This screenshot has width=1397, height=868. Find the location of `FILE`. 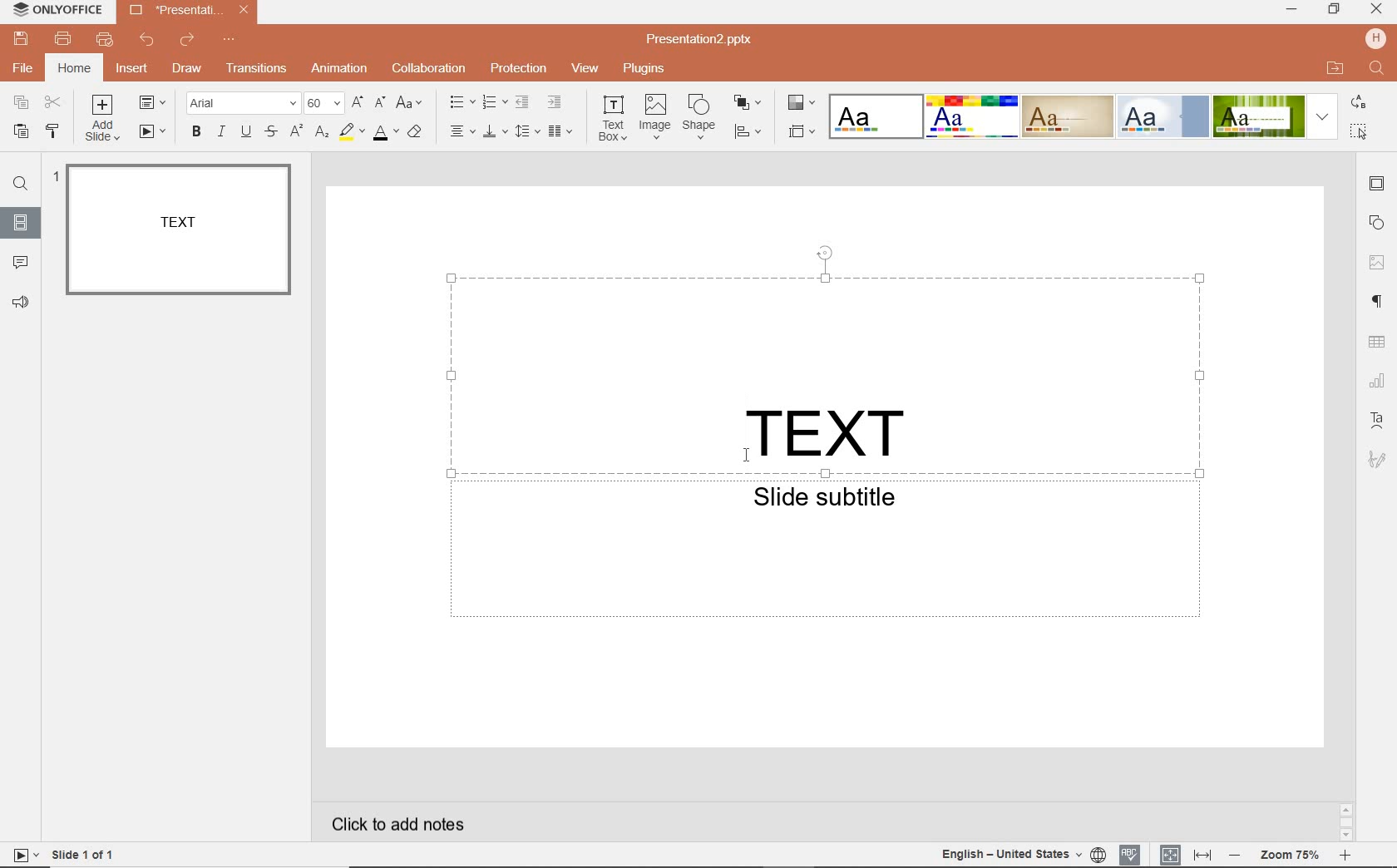

FILE is located at coordinates (23, 70).